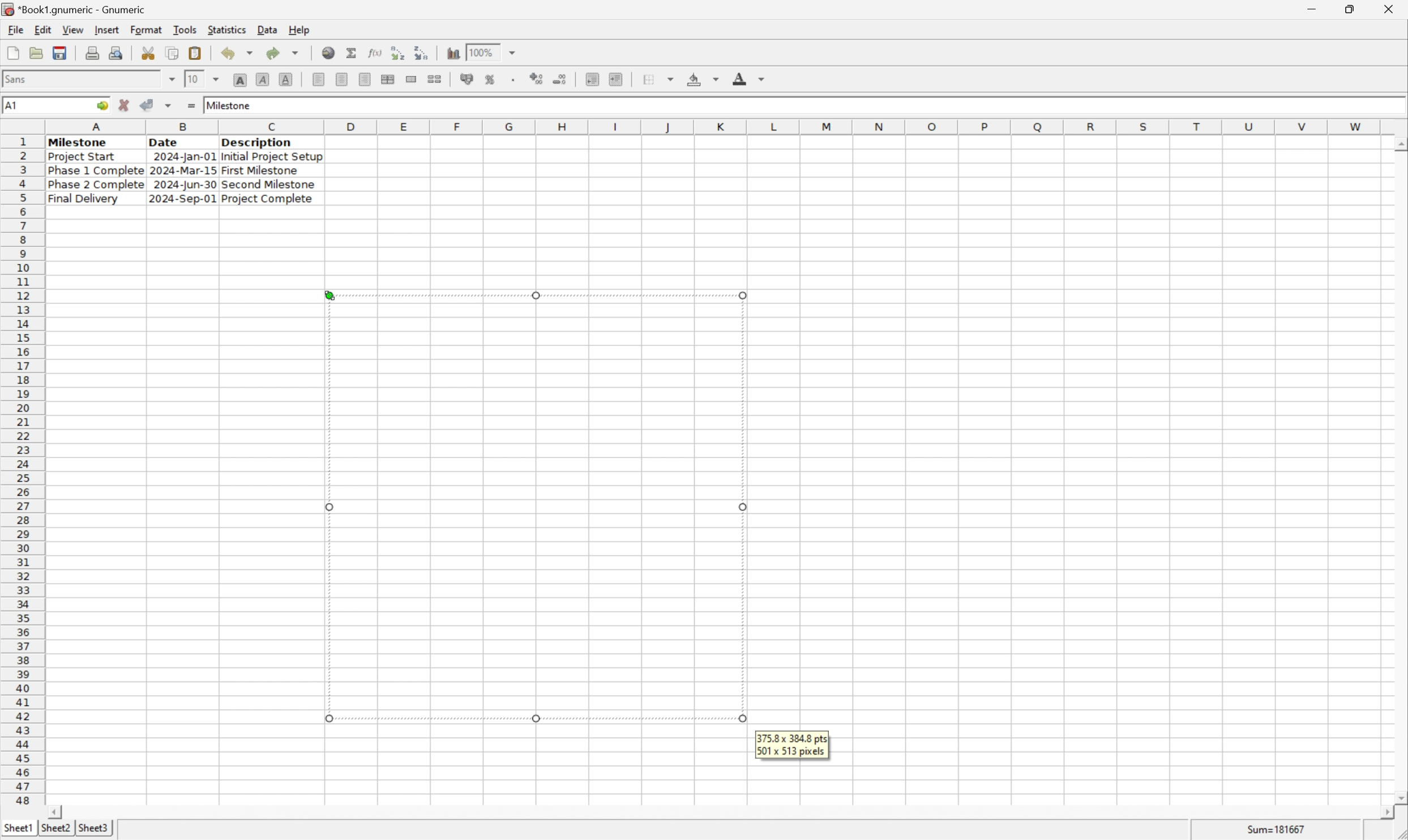 This screenshot has width=1408, height=840. Describe the element at coordinates (285, 52) in the screenshot. I see `redo` at that location.